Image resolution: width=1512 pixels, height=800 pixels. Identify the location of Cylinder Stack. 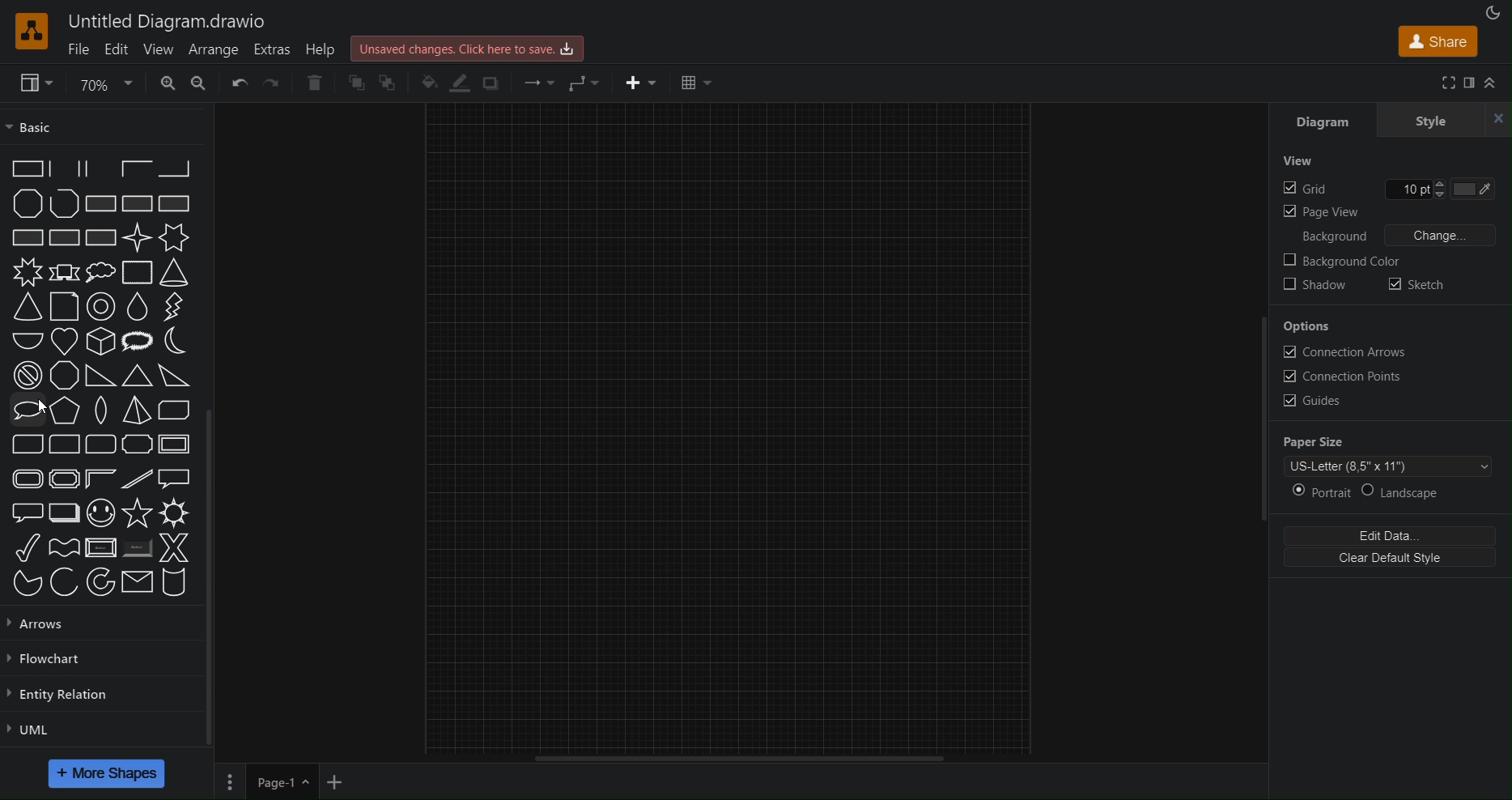
(174, 581).